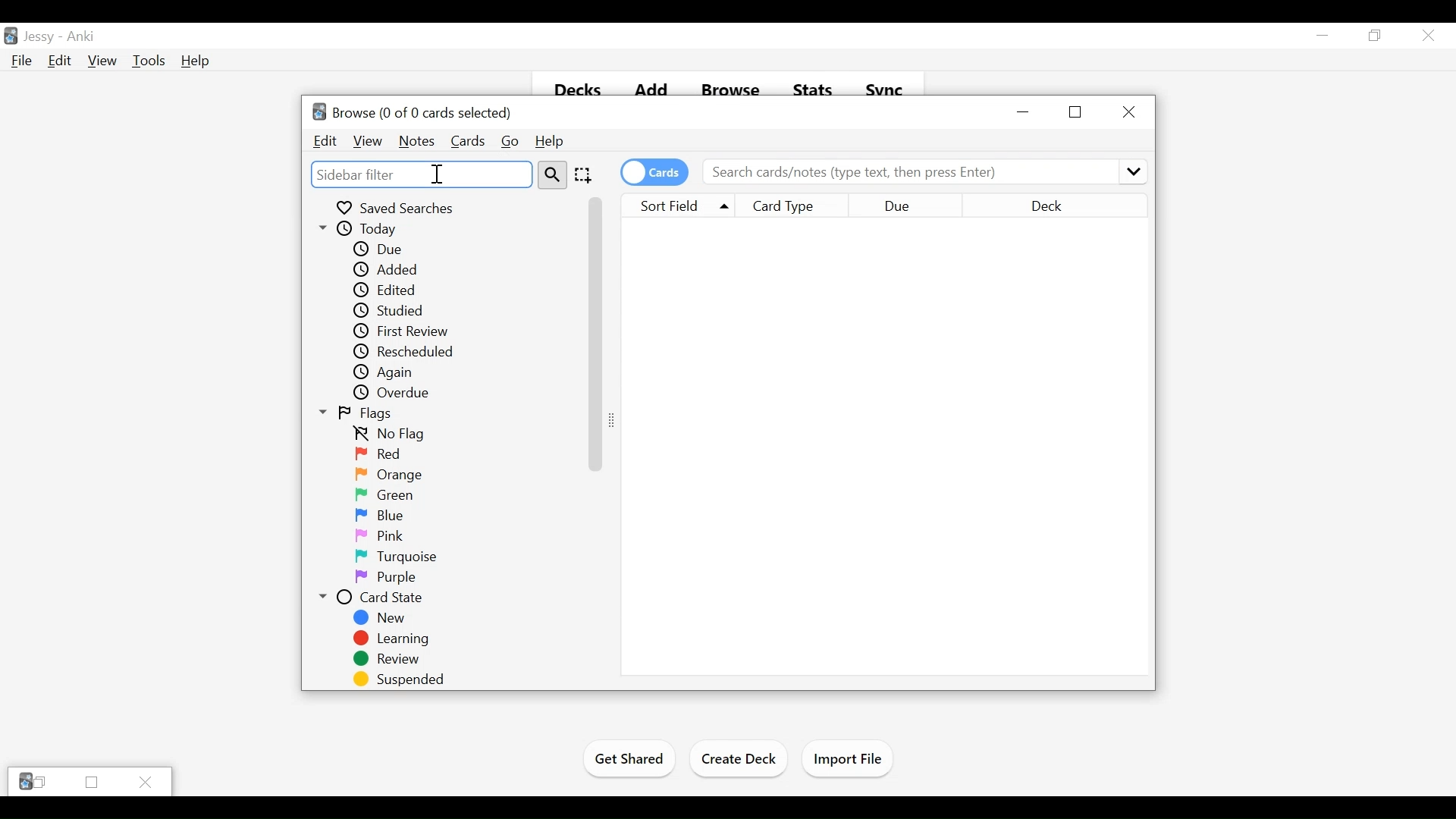  Describe the element at coordinates (389, 310) in the screenshot. I see `Studie` at that location.